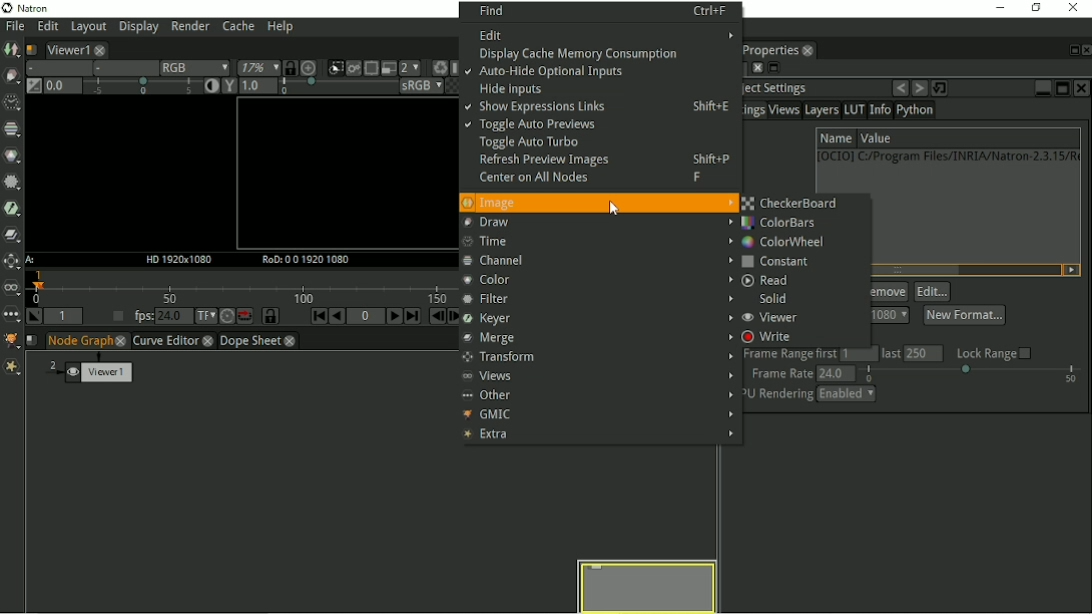 Image resolution: width=1092 pixels, height=614 pixels. I want to click on Last frame, so click(413, 317).